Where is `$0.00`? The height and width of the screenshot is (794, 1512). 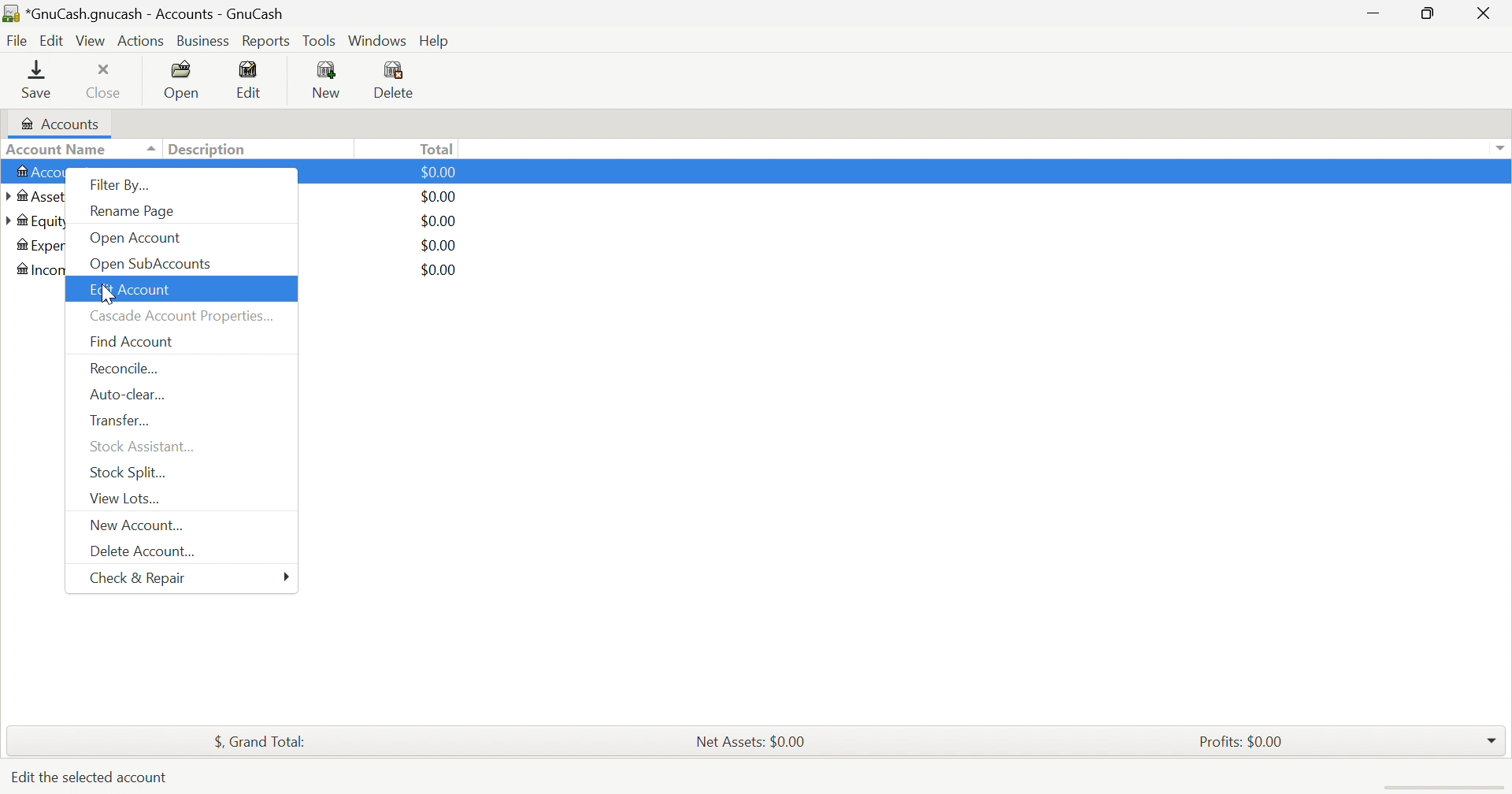 $0.00 is located at coordinates (443, 270).